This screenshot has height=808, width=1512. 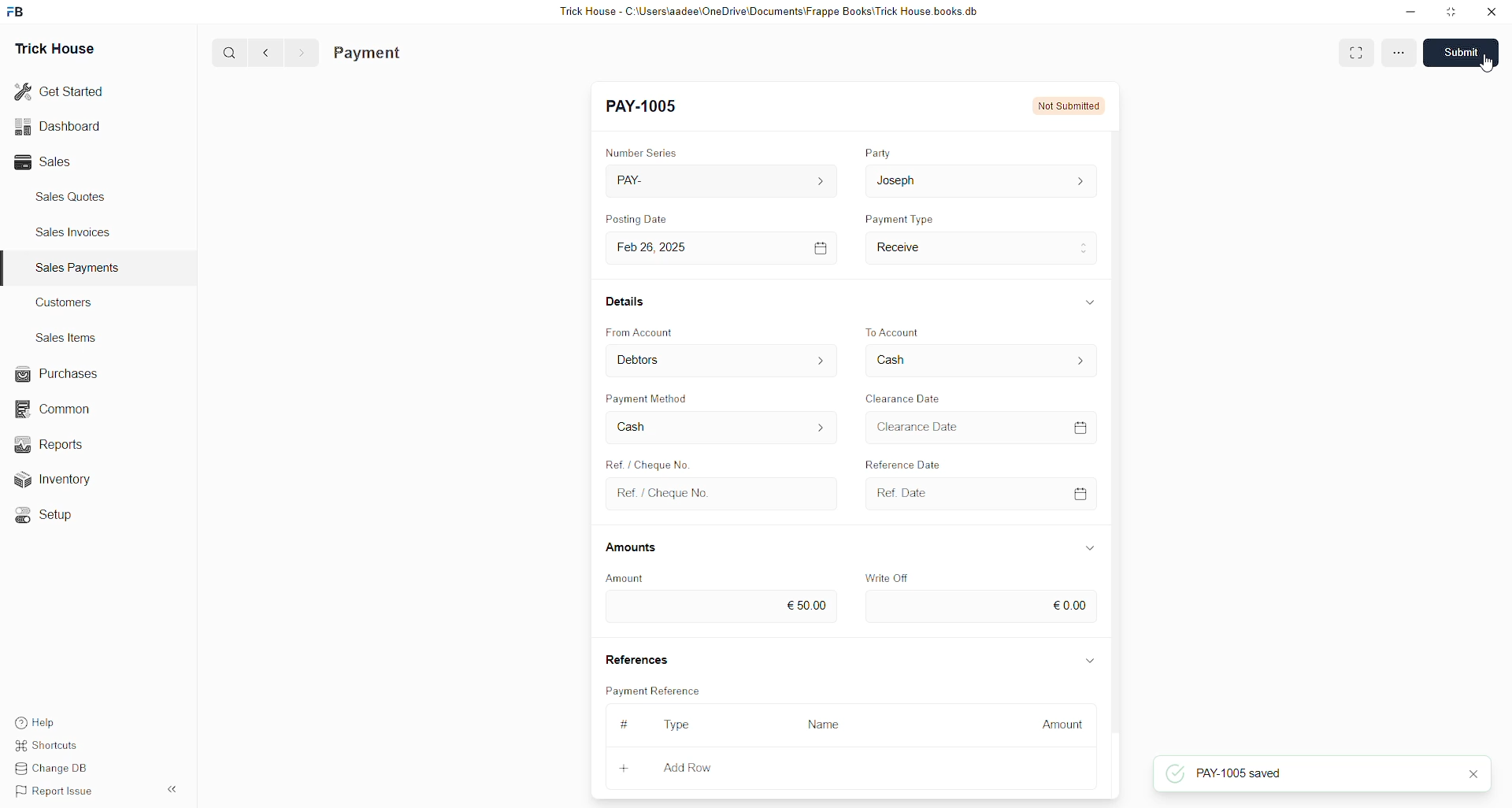 What do you see at coordinates (1491, 13) in the screenshot?
I see `Close` at bounding box center [1491, 13].